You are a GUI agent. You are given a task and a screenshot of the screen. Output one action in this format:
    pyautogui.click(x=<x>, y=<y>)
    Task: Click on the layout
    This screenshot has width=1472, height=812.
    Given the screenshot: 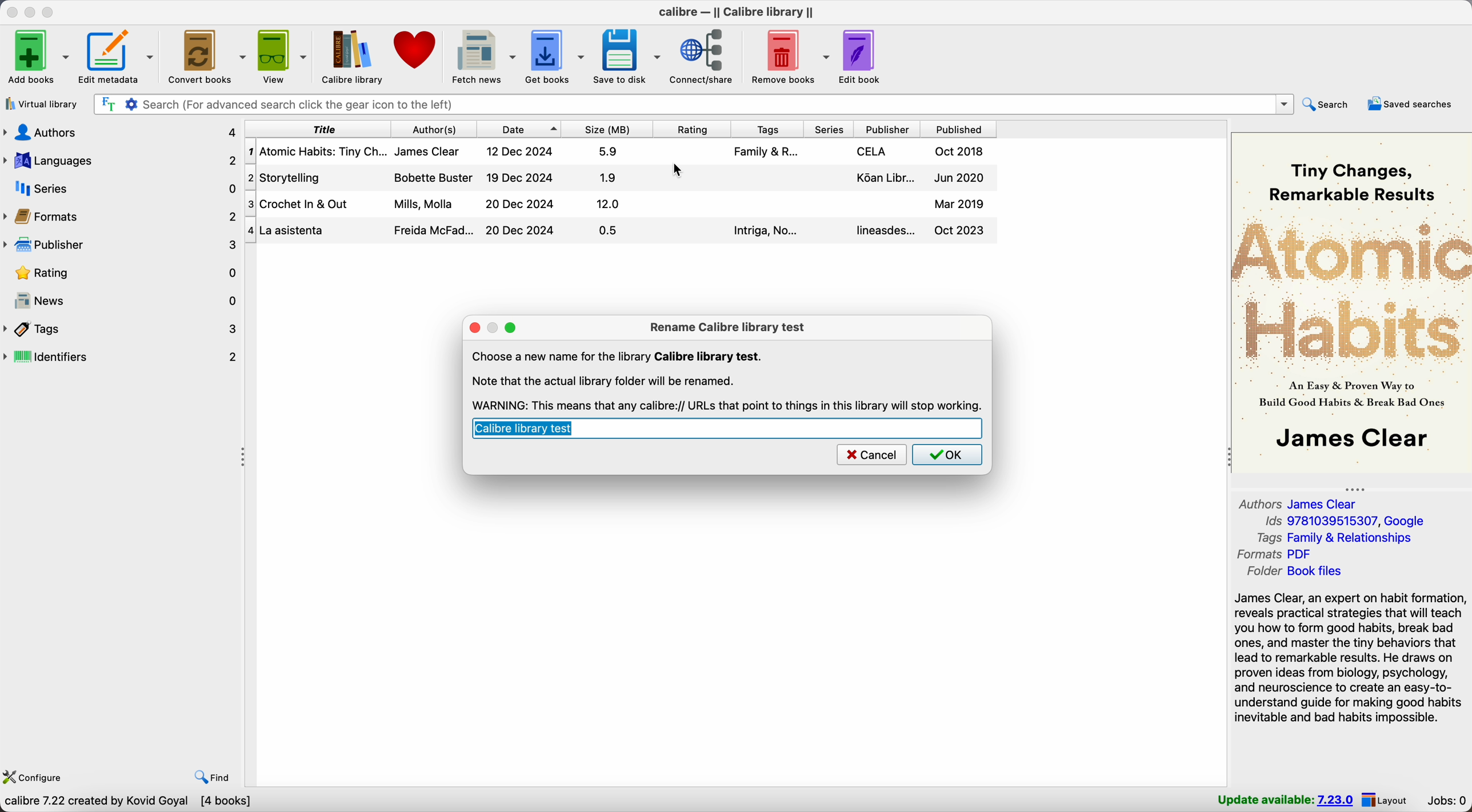 What is the action you would take?
    pyautogui.click(x=1386, y=800)
    